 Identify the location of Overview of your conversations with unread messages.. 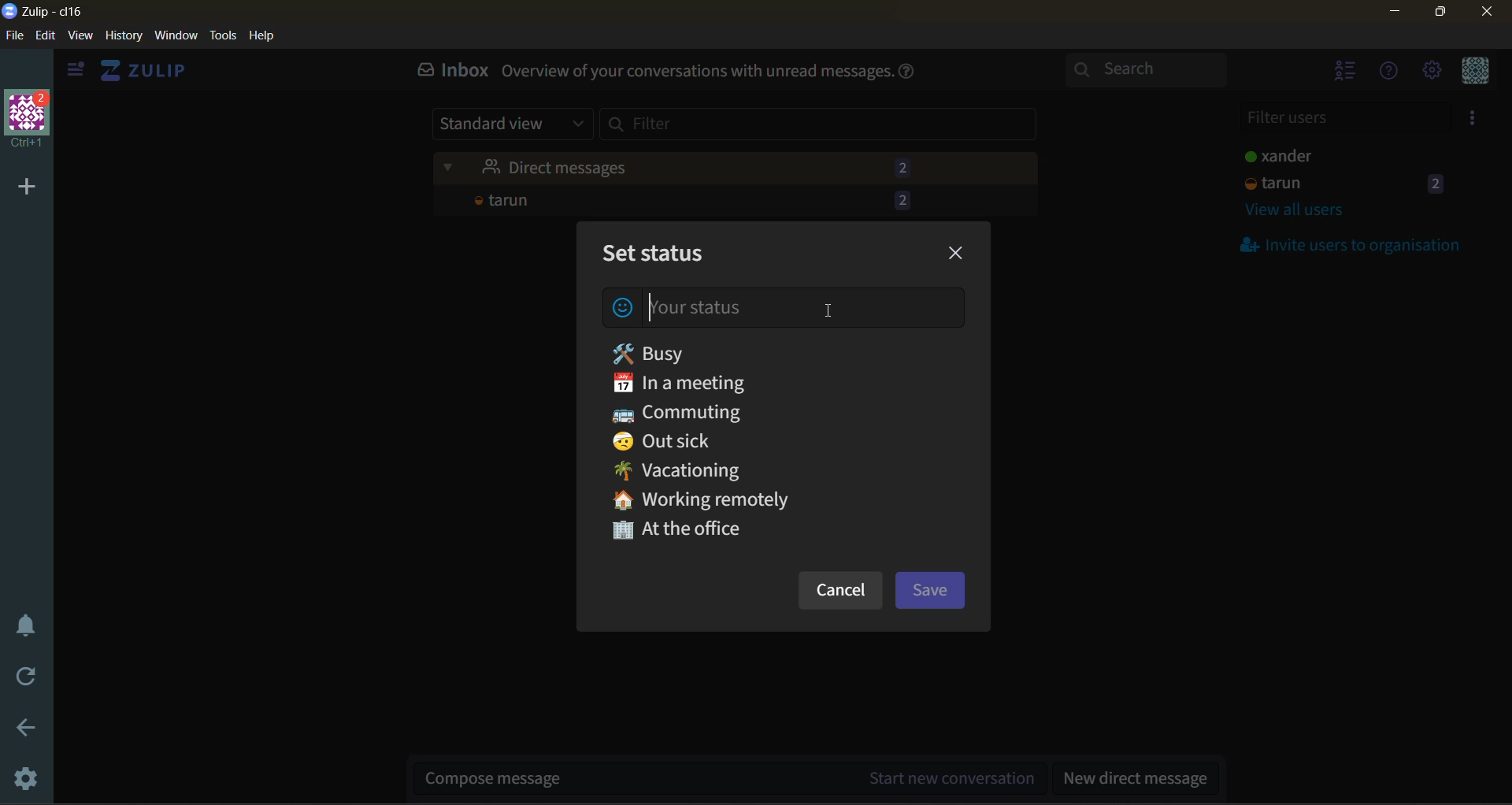
(696, 73).